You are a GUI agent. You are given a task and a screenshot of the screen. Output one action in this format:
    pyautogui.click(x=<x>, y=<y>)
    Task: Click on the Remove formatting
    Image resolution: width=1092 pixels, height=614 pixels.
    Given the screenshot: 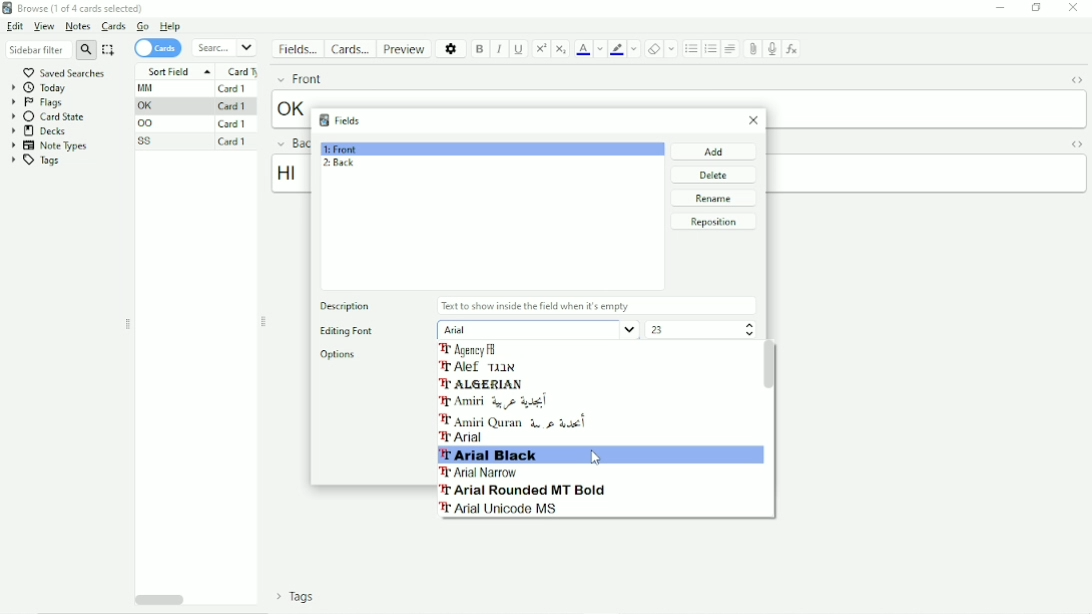 What is the action you would take?
    pyautogui.click(x=654, y=48)
    